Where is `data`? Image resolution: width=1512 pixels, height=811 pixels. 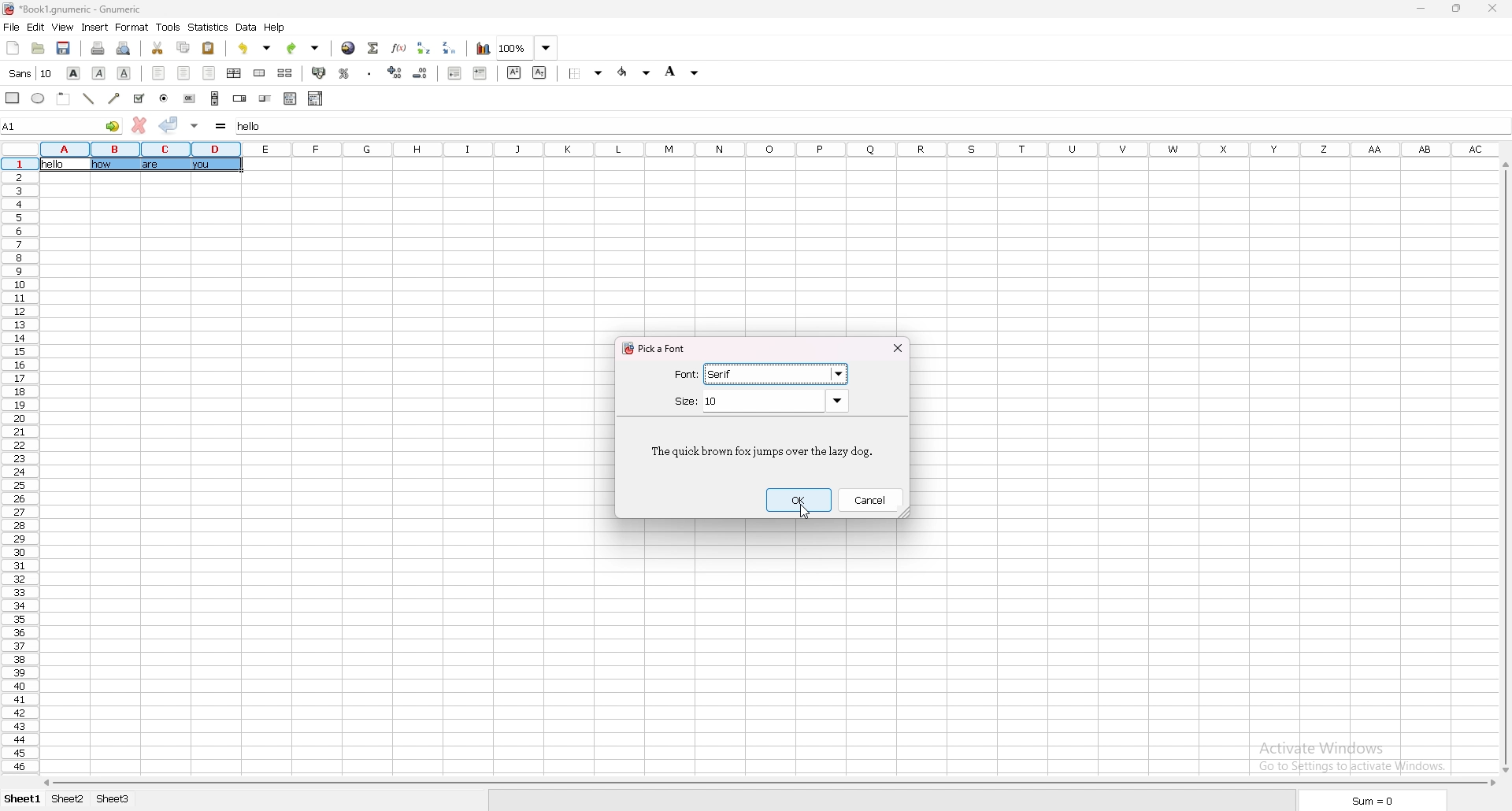 data is located at coordinates (246, 28).